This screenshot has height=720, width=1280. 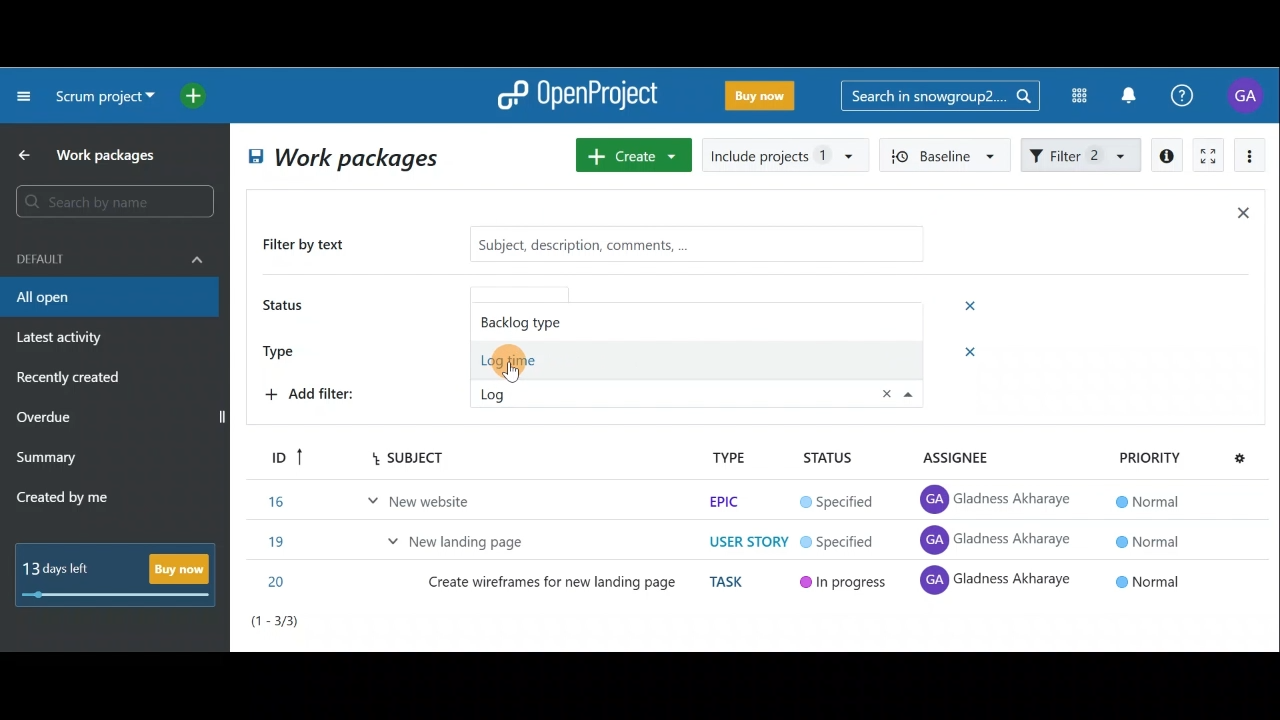 I want to click on user story, so click(x=748, y=542).